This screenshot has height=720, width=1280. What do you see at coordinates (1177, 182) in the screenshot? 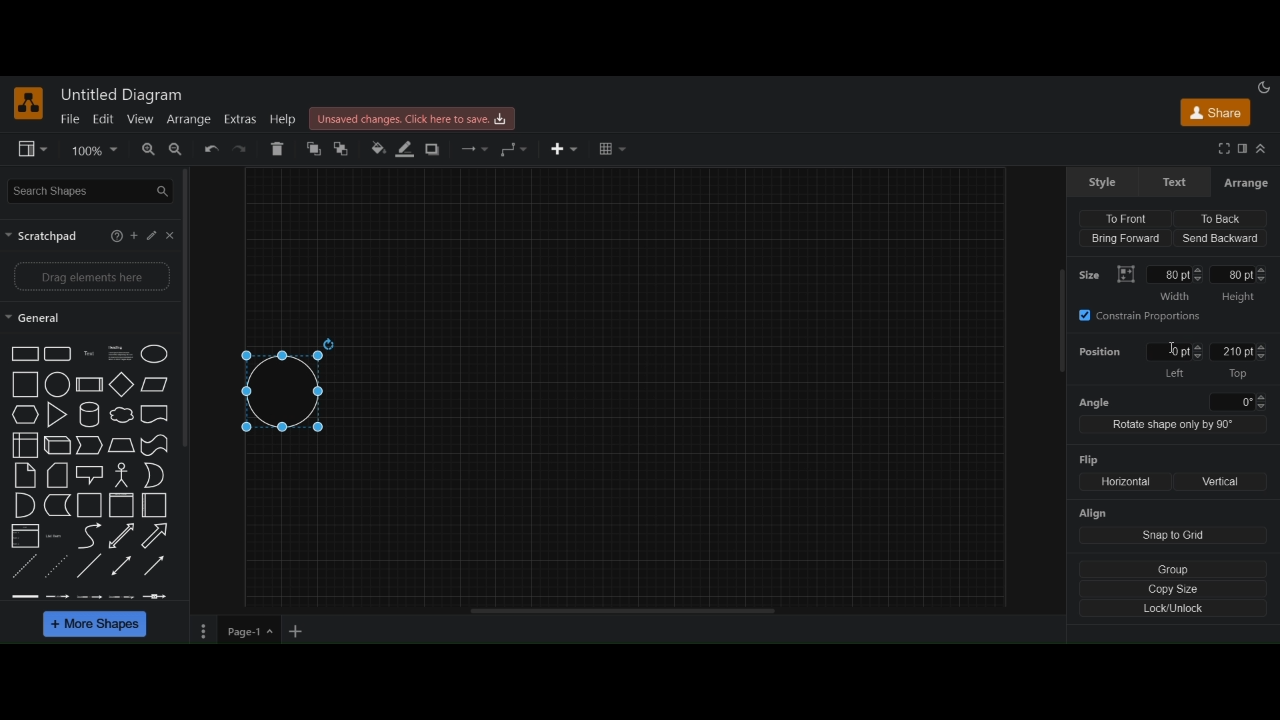
I see `text` at bounding box center [1177, 182].